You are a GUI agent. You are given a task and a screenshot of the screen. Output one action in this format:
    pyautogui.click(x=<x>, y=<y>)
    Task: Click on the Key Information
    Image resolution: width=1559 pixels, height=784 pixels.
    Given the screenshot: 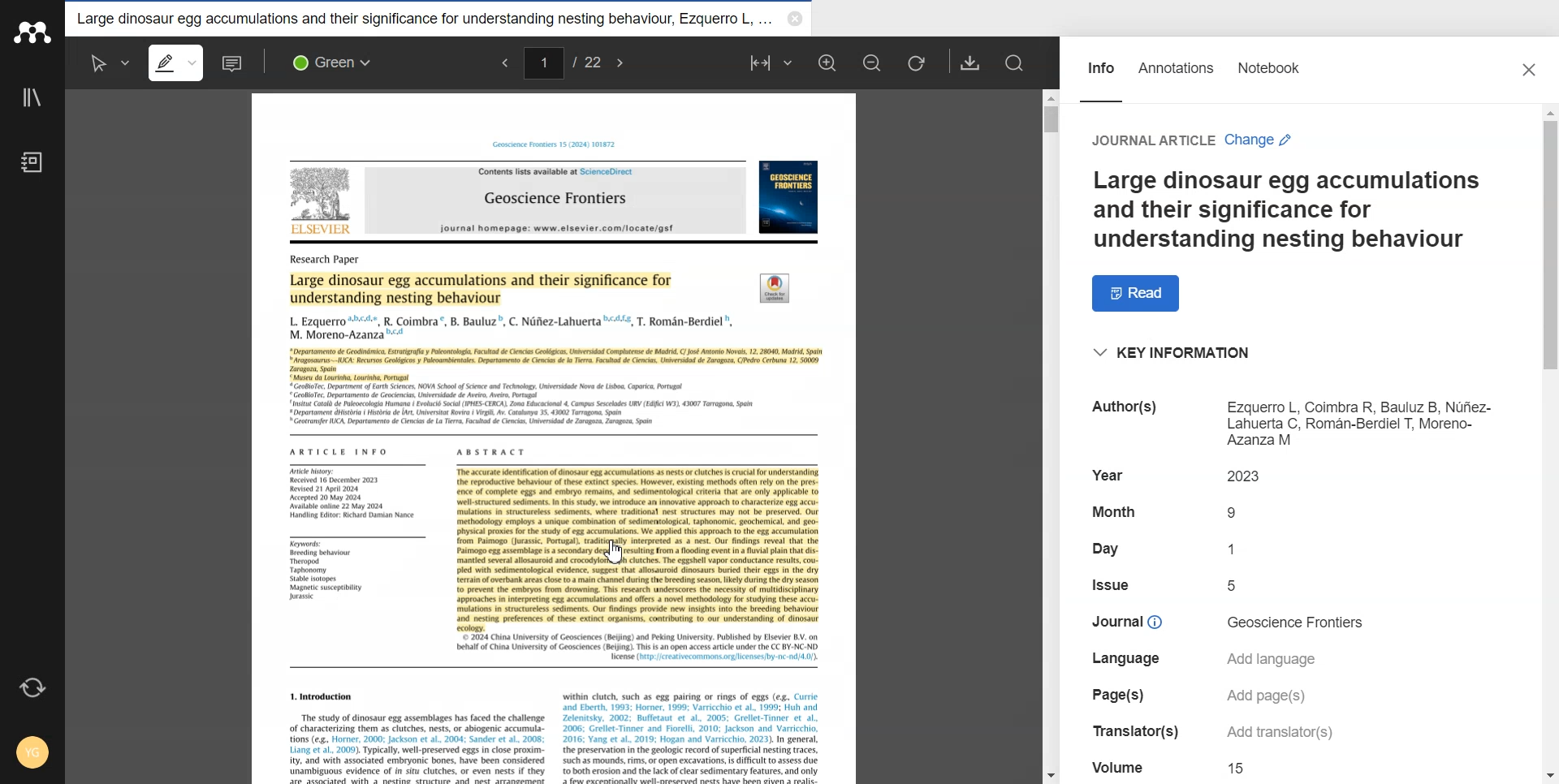 What is the action you would take?
    pyautogui.click(x=1175, y=353)
    